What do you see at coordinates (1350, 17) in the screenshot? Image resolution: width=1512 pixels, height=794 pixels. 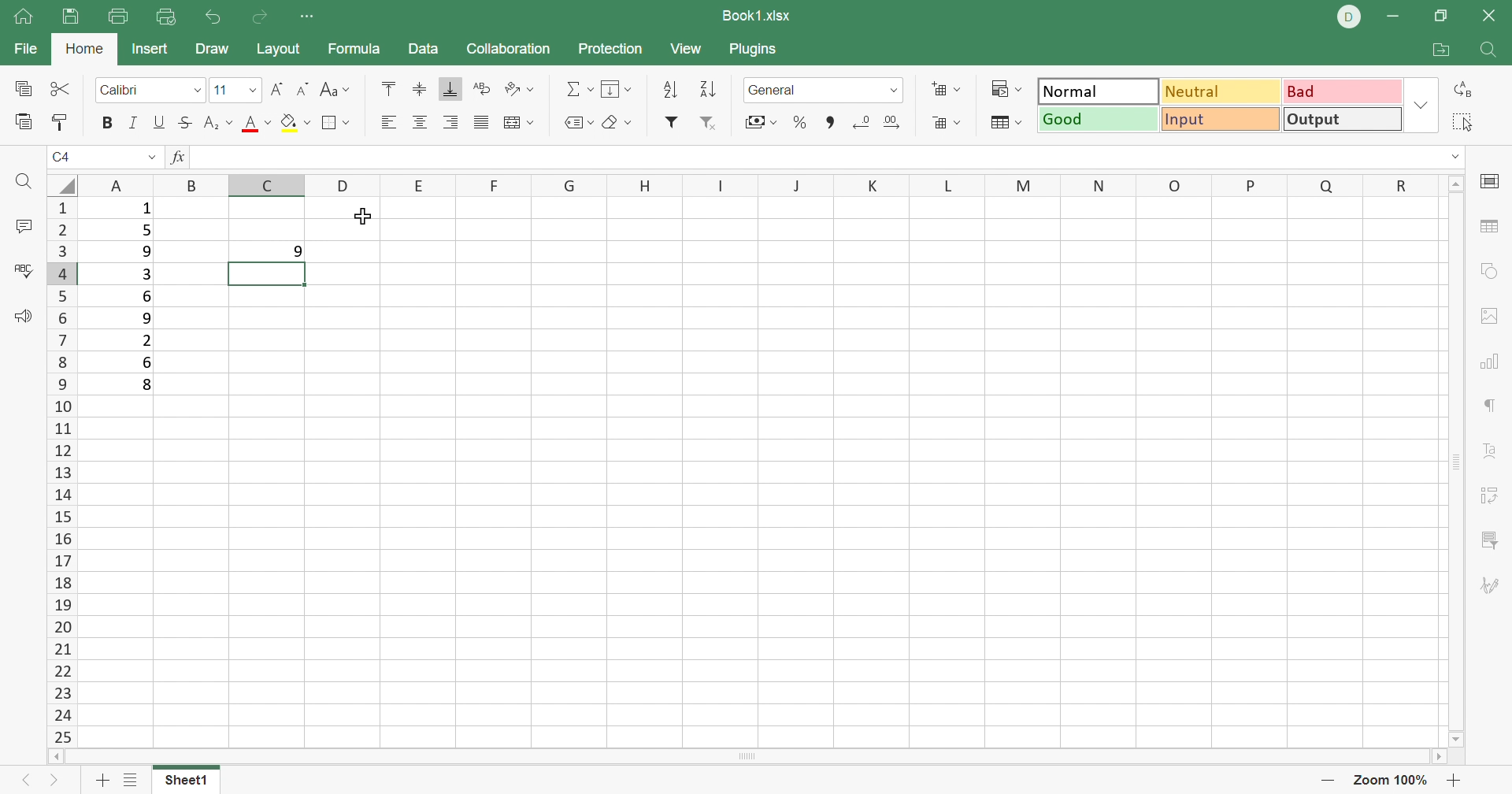 I see `DELL` at bounding box center [1350, 17].